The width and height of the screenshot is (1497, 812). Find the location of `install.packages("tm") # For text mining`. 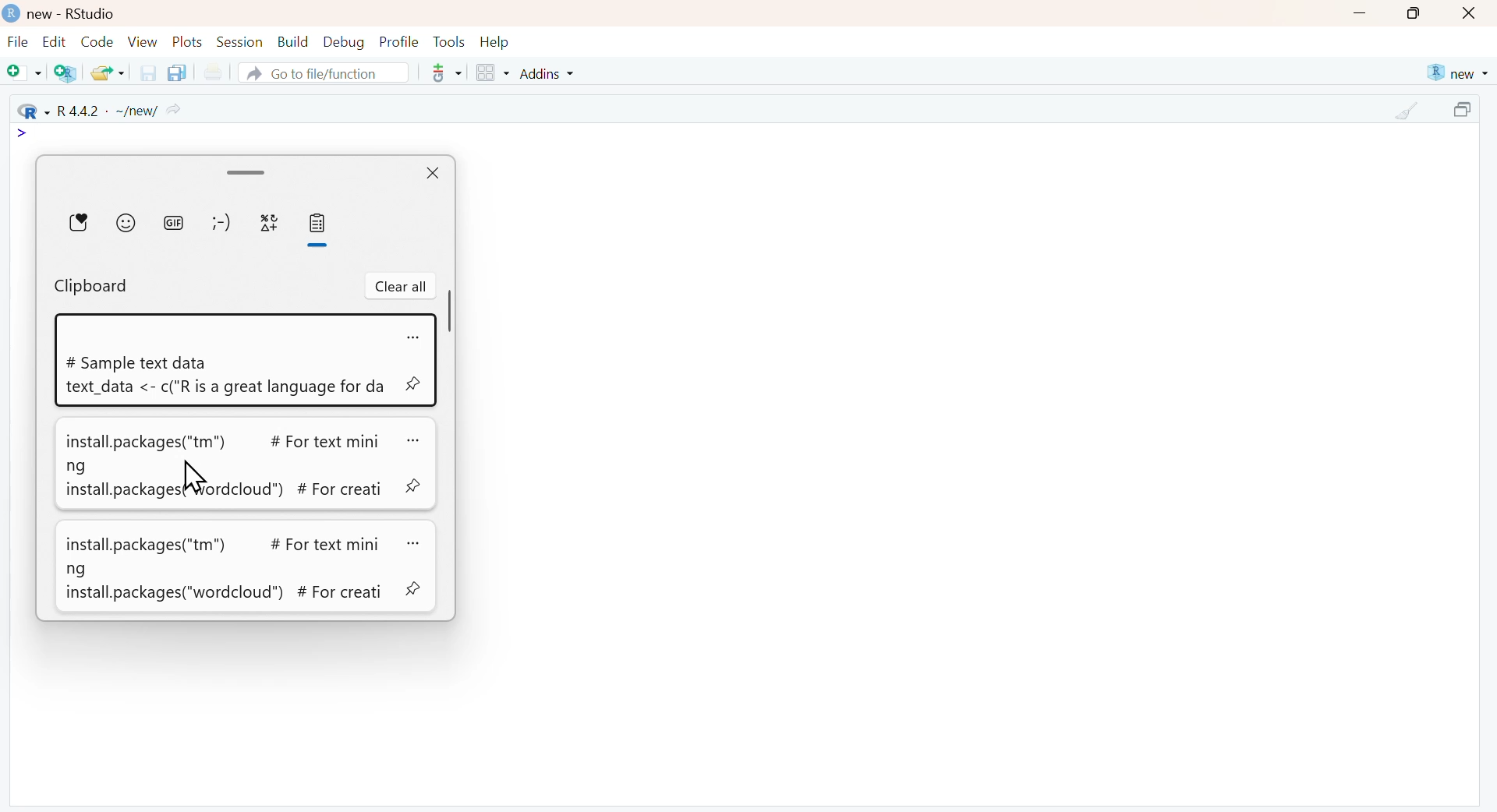

install.packages("tm") # For text mining is located at coordinates (224, 454).